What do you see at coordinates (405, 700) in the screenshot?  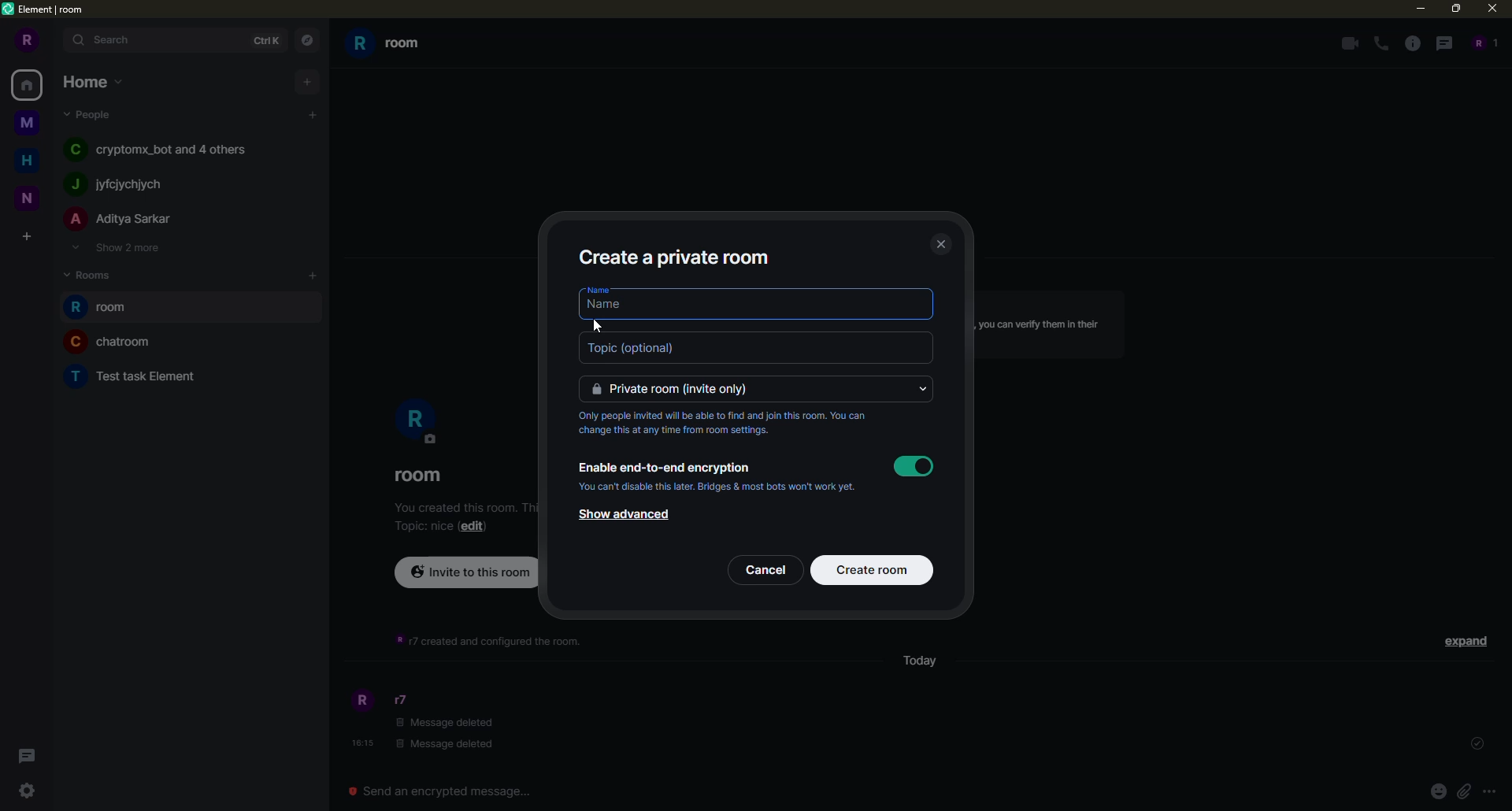 I see `people` at bounding box center [405, 700].